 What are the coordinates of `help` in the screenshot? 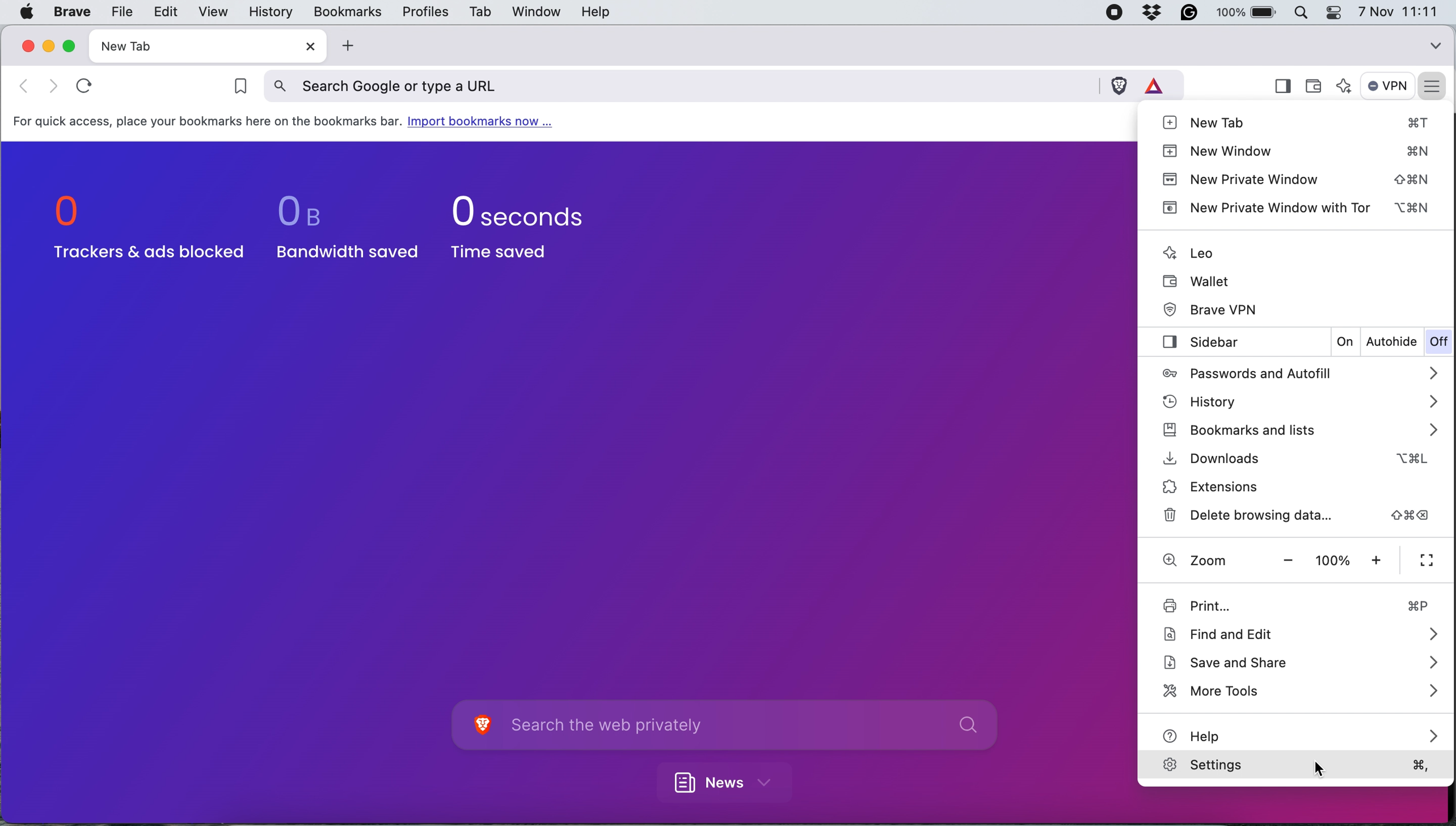 It's located at (596, 13).